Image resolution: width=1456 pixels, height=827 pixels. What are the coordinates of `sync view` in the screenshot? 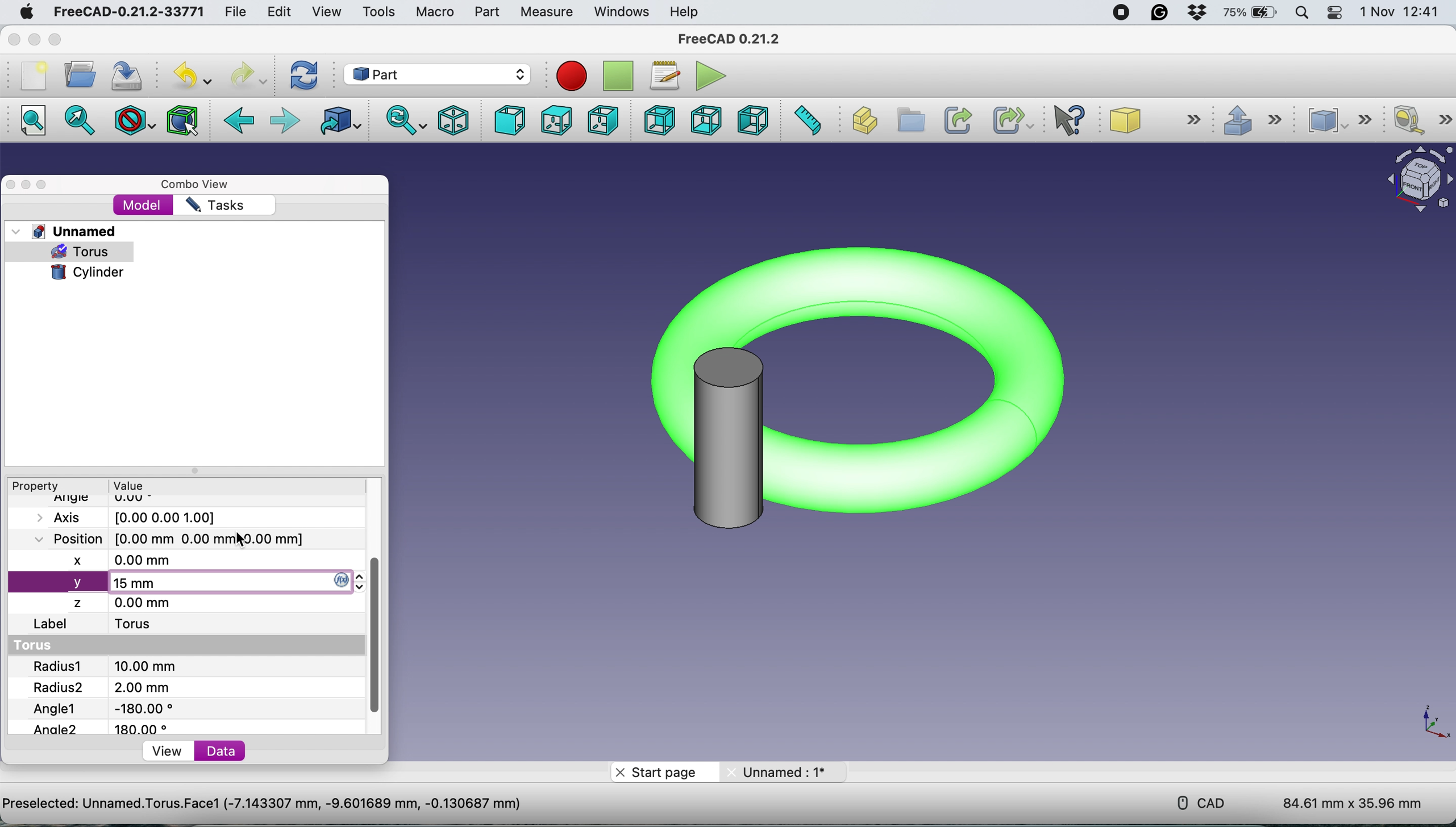 It's located at (406, 122).